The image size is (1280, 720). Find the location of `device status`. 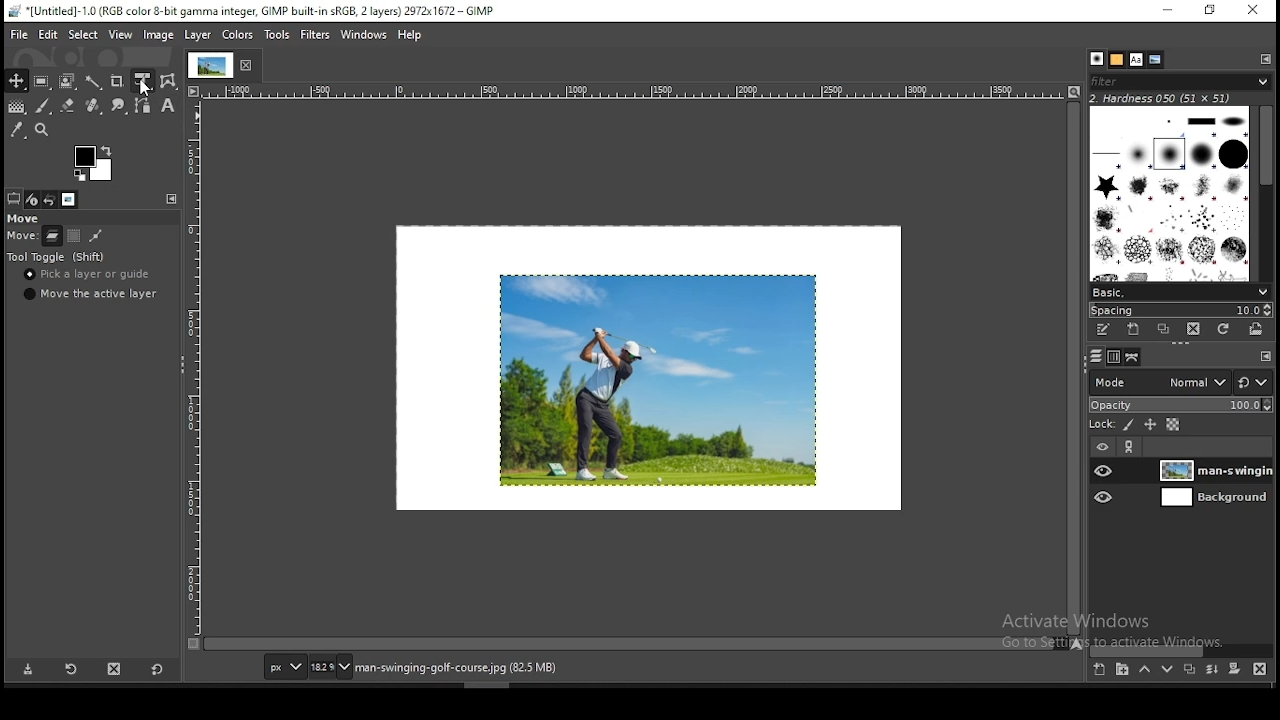

device status is located at coordinates (33, 200).